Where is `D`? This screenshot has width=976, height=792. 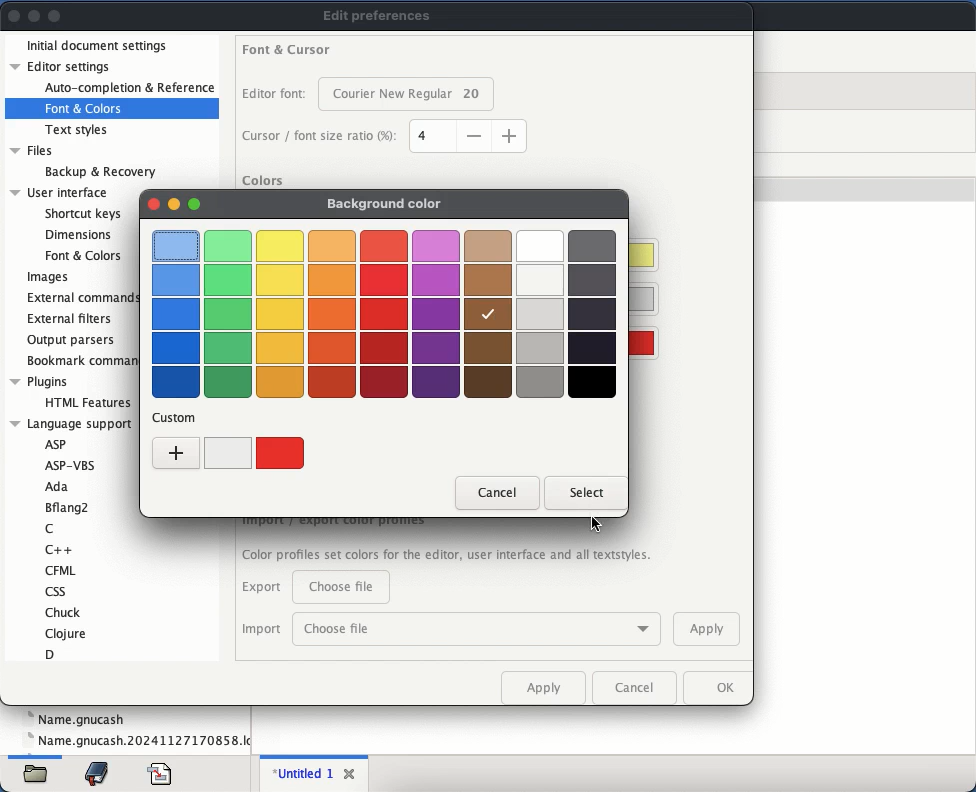
D is located at coordinates (51, 654).